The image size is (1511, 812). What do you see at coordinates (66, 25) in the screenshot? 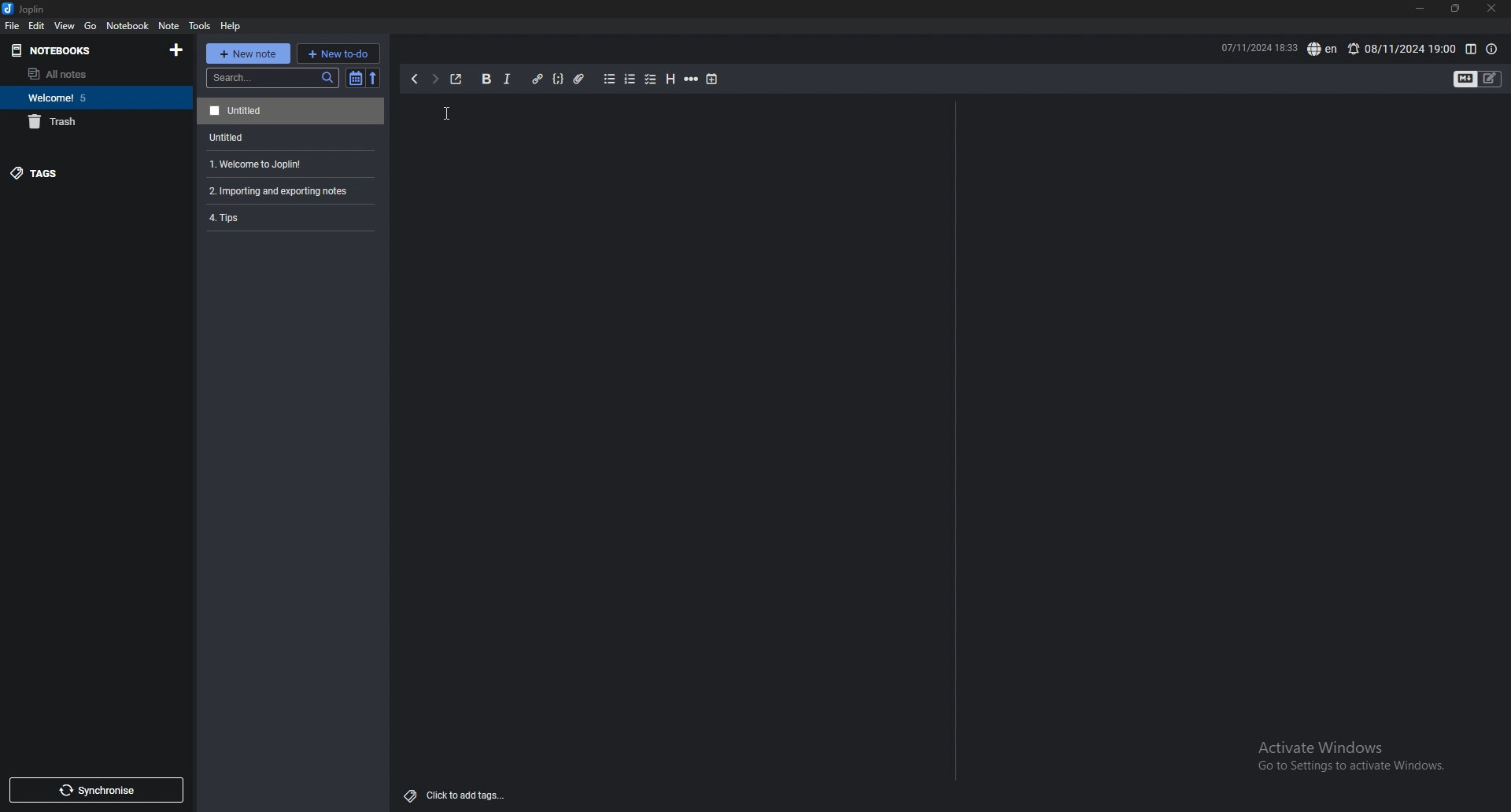
I see `view` at bounding box center [66, 25].